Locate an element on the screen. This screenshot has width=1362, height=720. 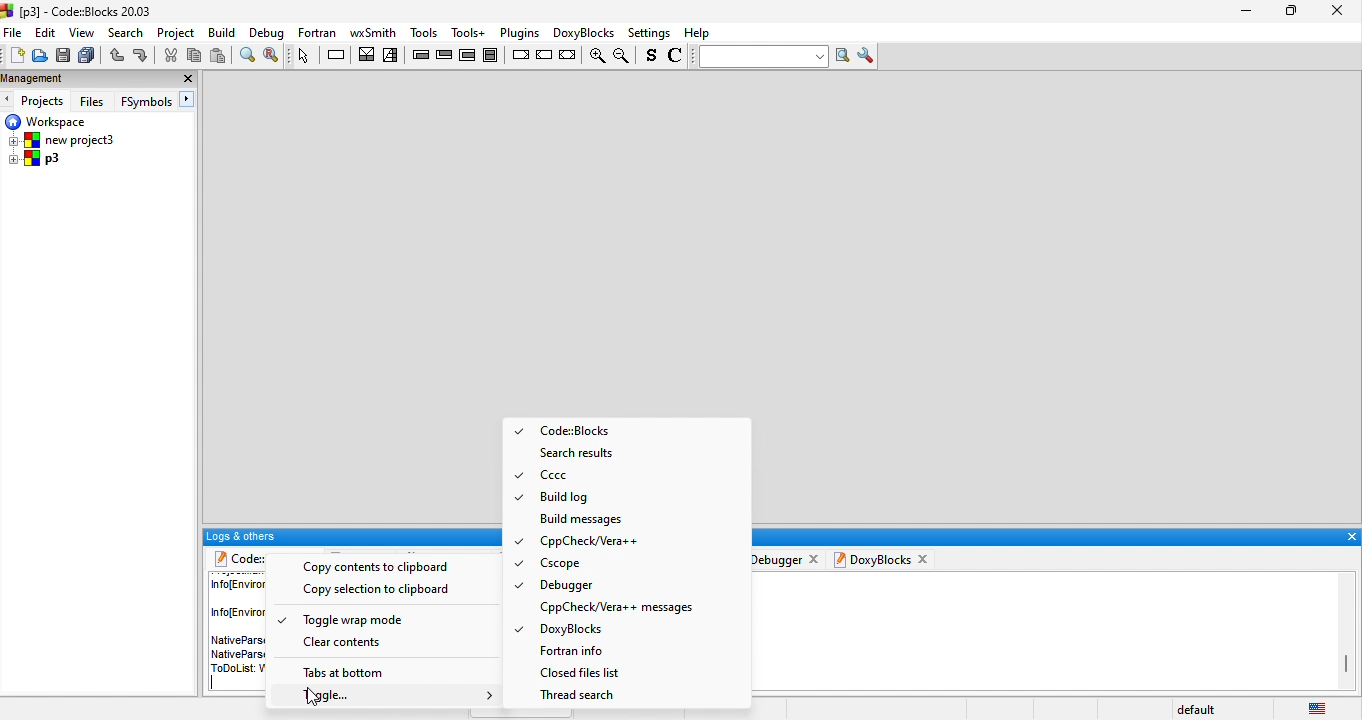
close is located at coordinates (1336, 10).